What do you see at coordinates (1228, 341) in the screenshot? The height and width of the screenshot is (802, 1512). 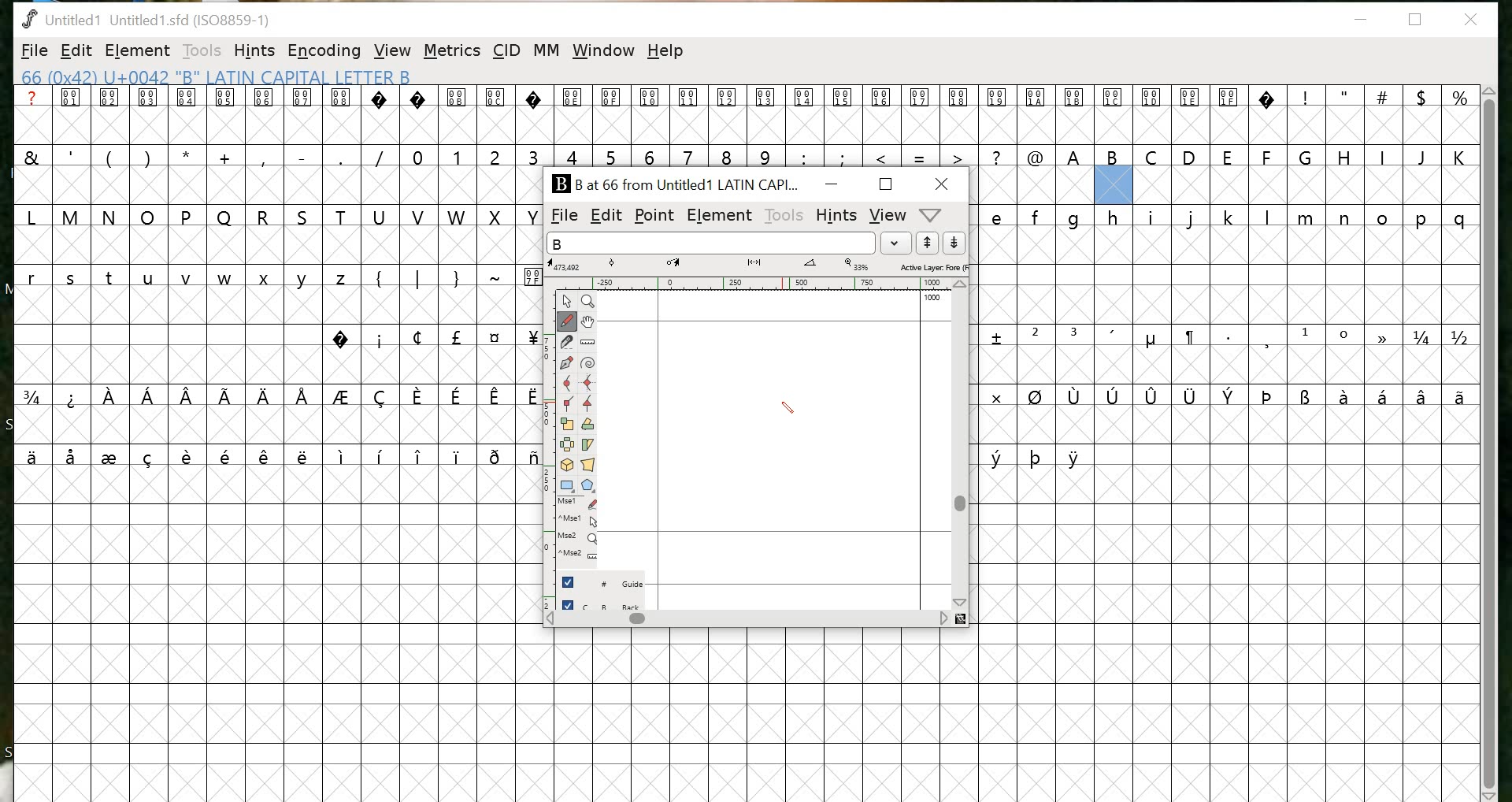 I see `glyphs` at bounding box center [1228, 341].